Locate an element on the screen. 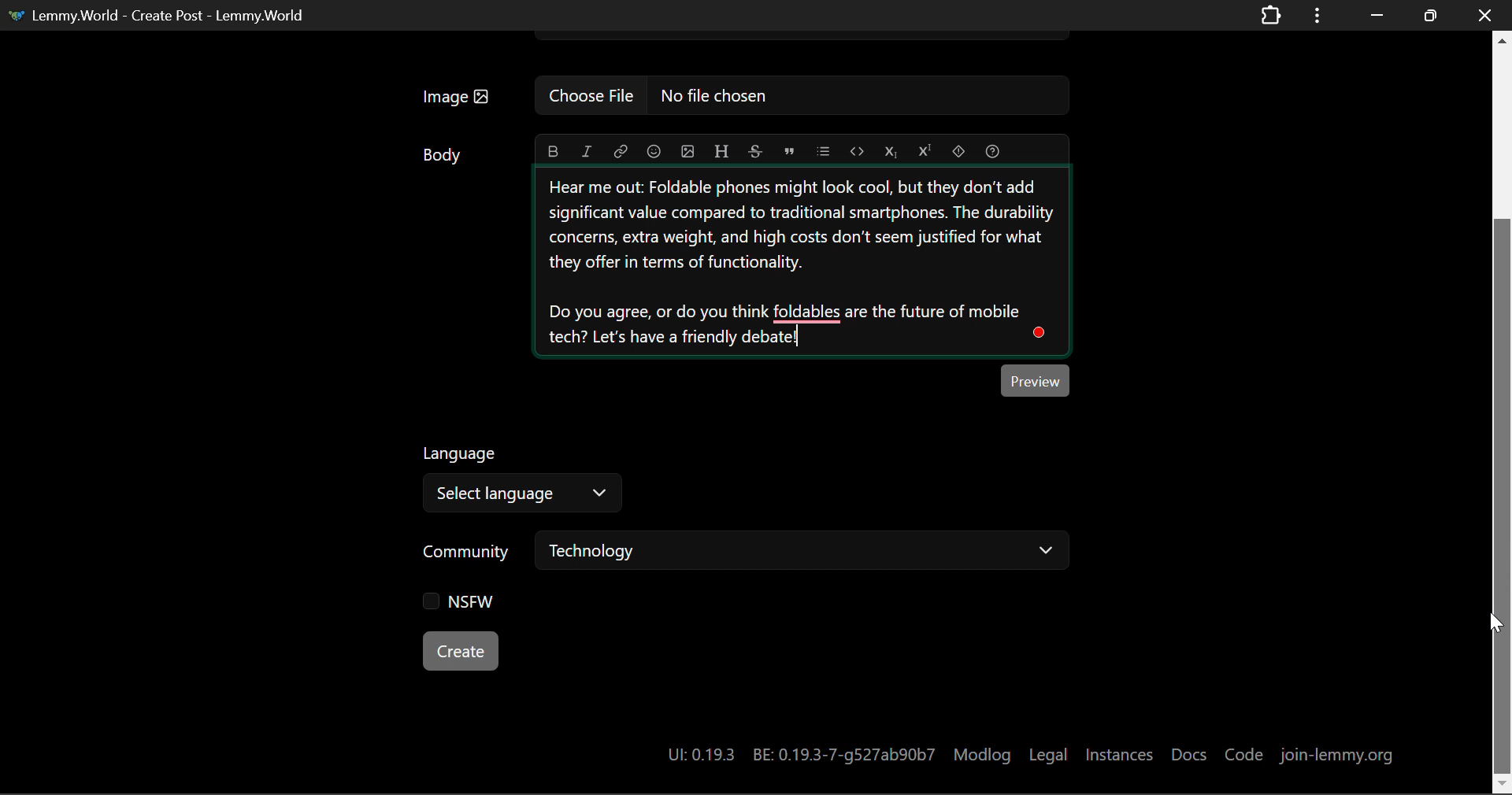 This screenshot has width=1512, height=795. Close Window is located at coordinates (1485, 14).